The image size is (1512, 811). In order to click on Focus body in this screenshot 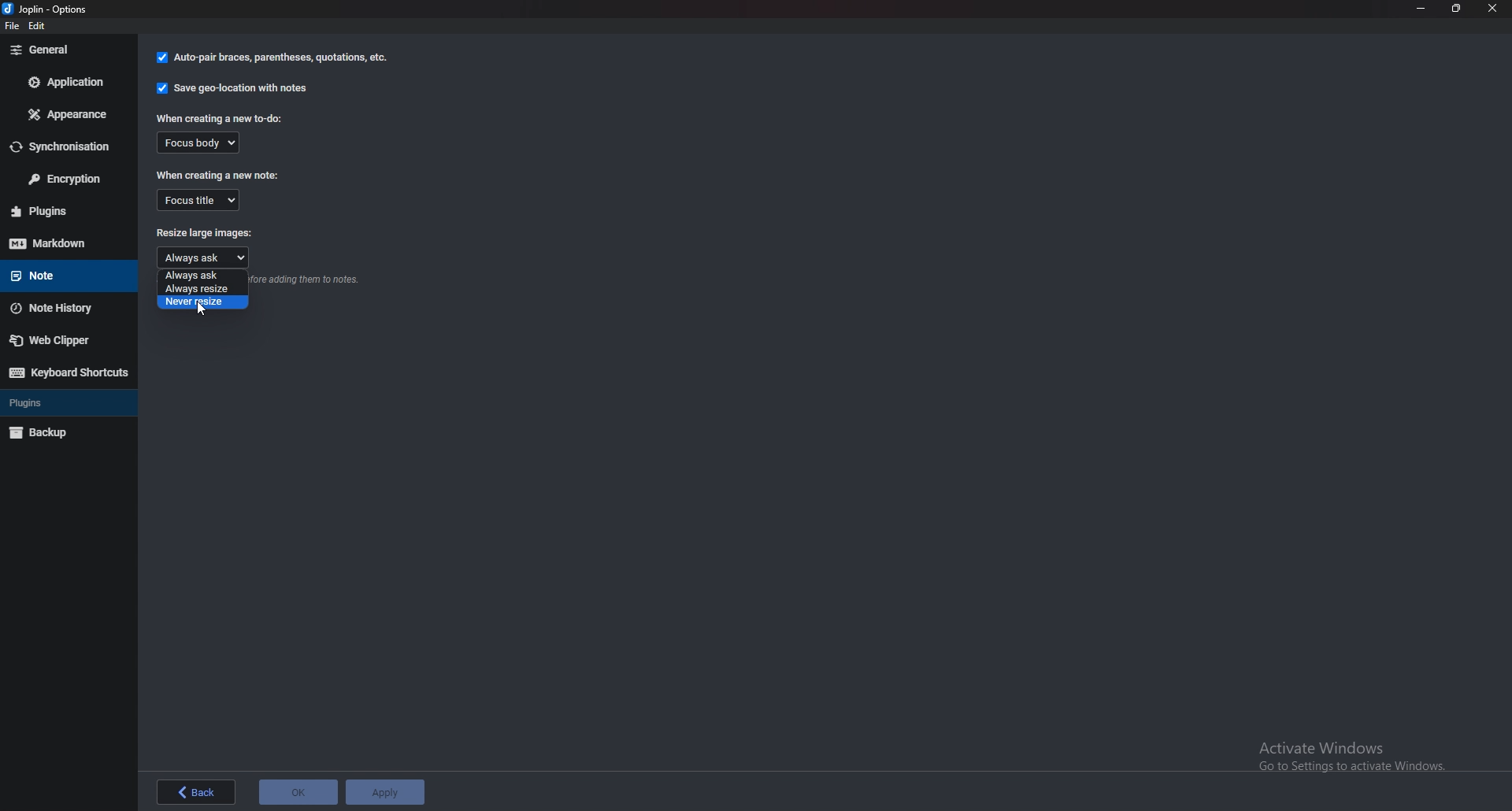, I will do `click(197, 142)`.